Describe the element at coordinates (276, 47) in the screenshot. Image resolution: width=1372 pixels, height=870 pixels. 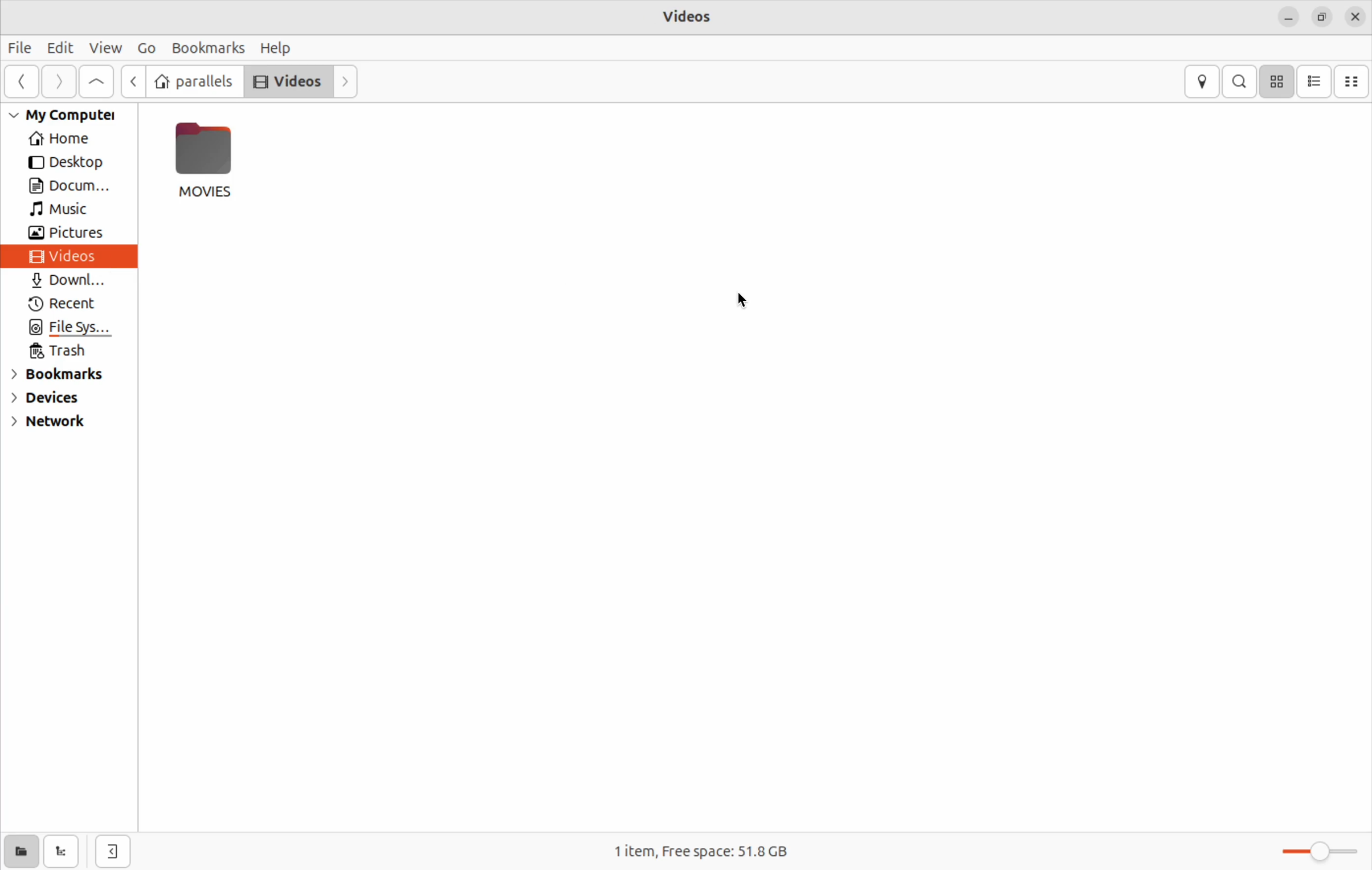
I see `Help` at that location.